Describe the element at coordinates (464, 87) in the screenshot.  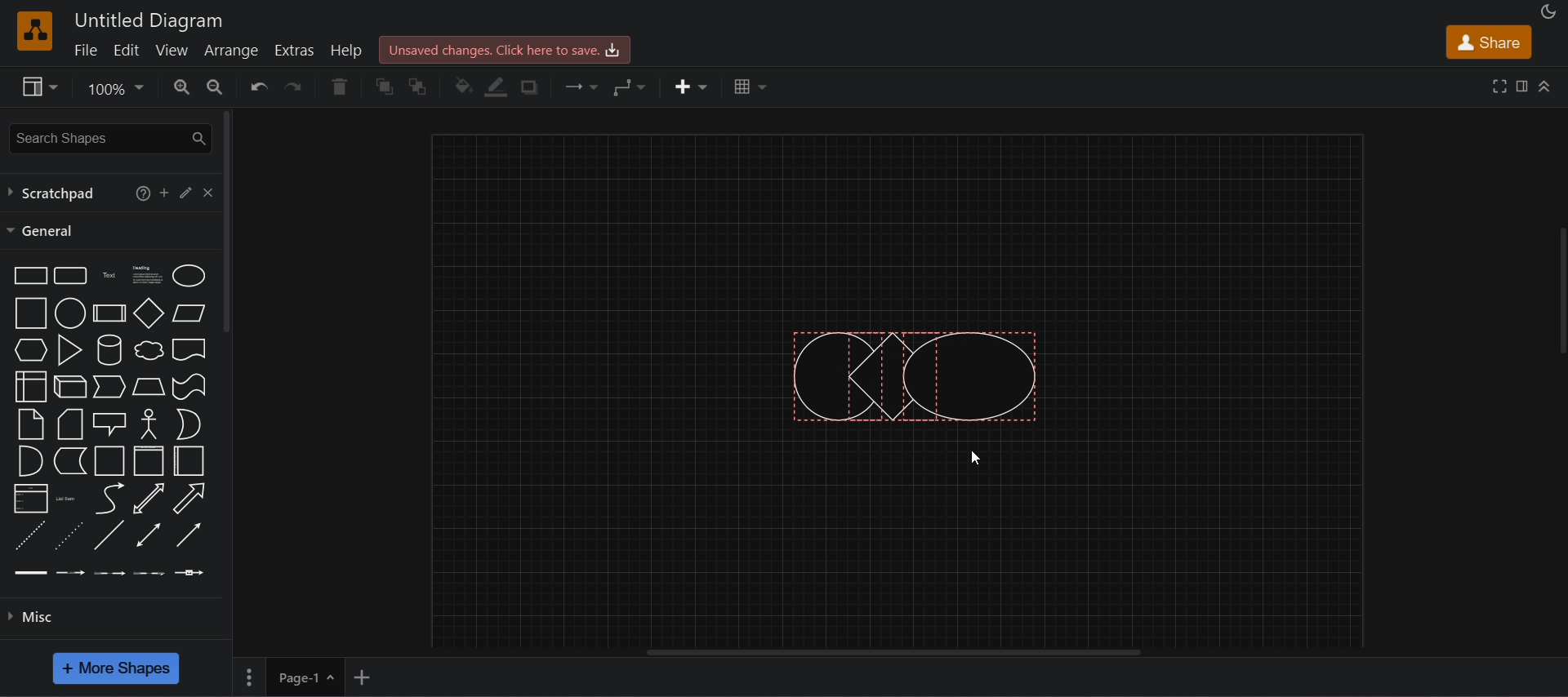
I see `fill color` at that location.